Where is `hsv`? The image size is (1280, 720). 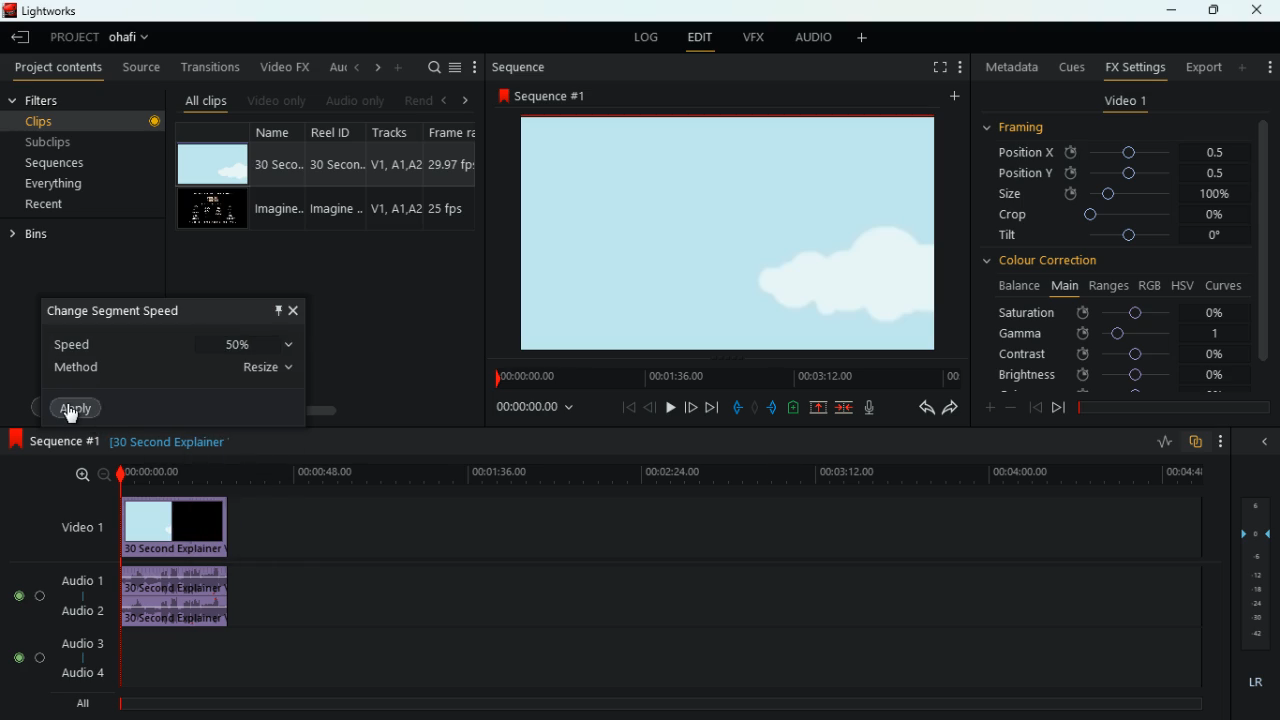
hsv is located at coordinates (1182, 285).